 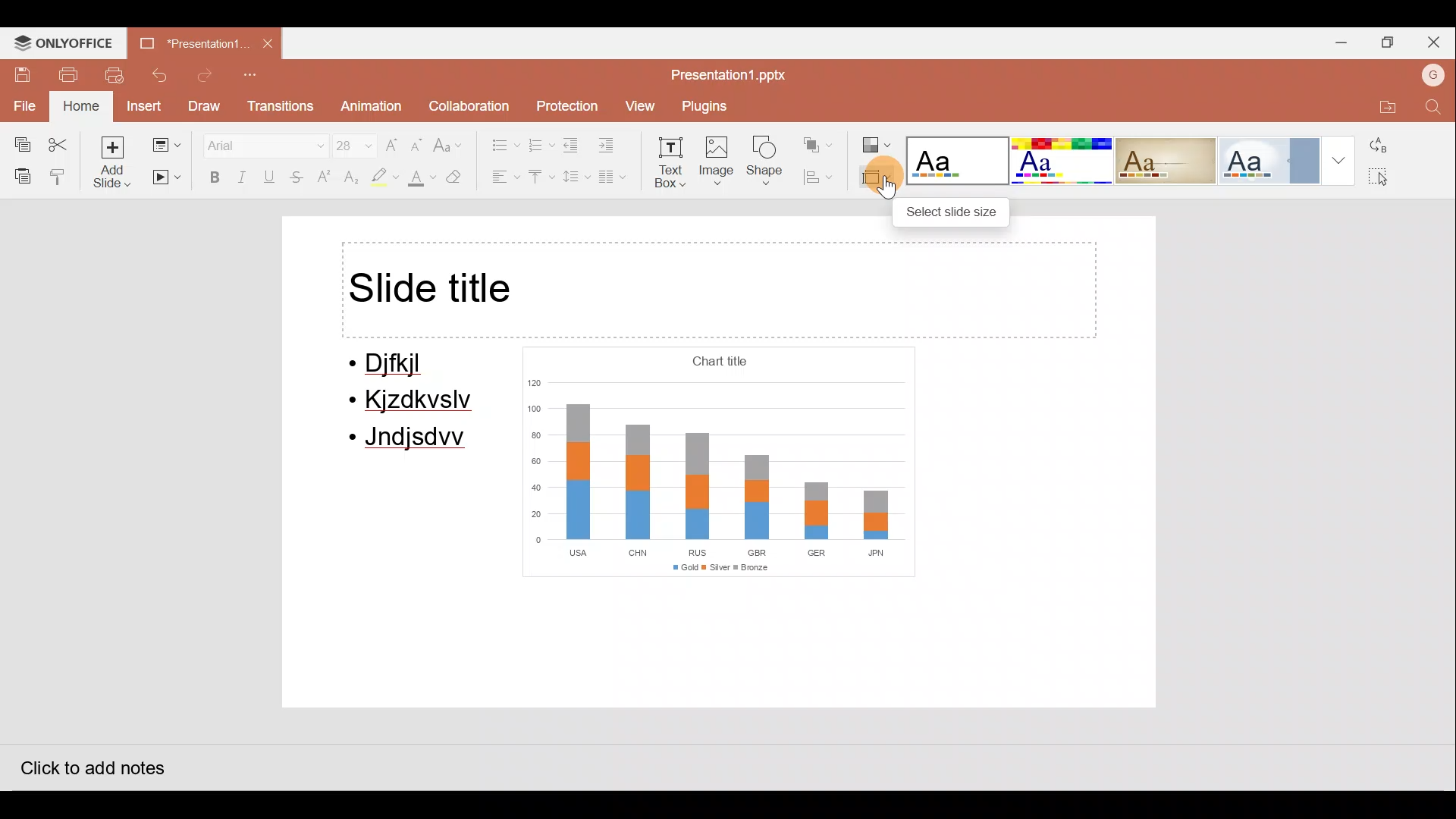 I want to click on Save, so click(x=17, y=70).